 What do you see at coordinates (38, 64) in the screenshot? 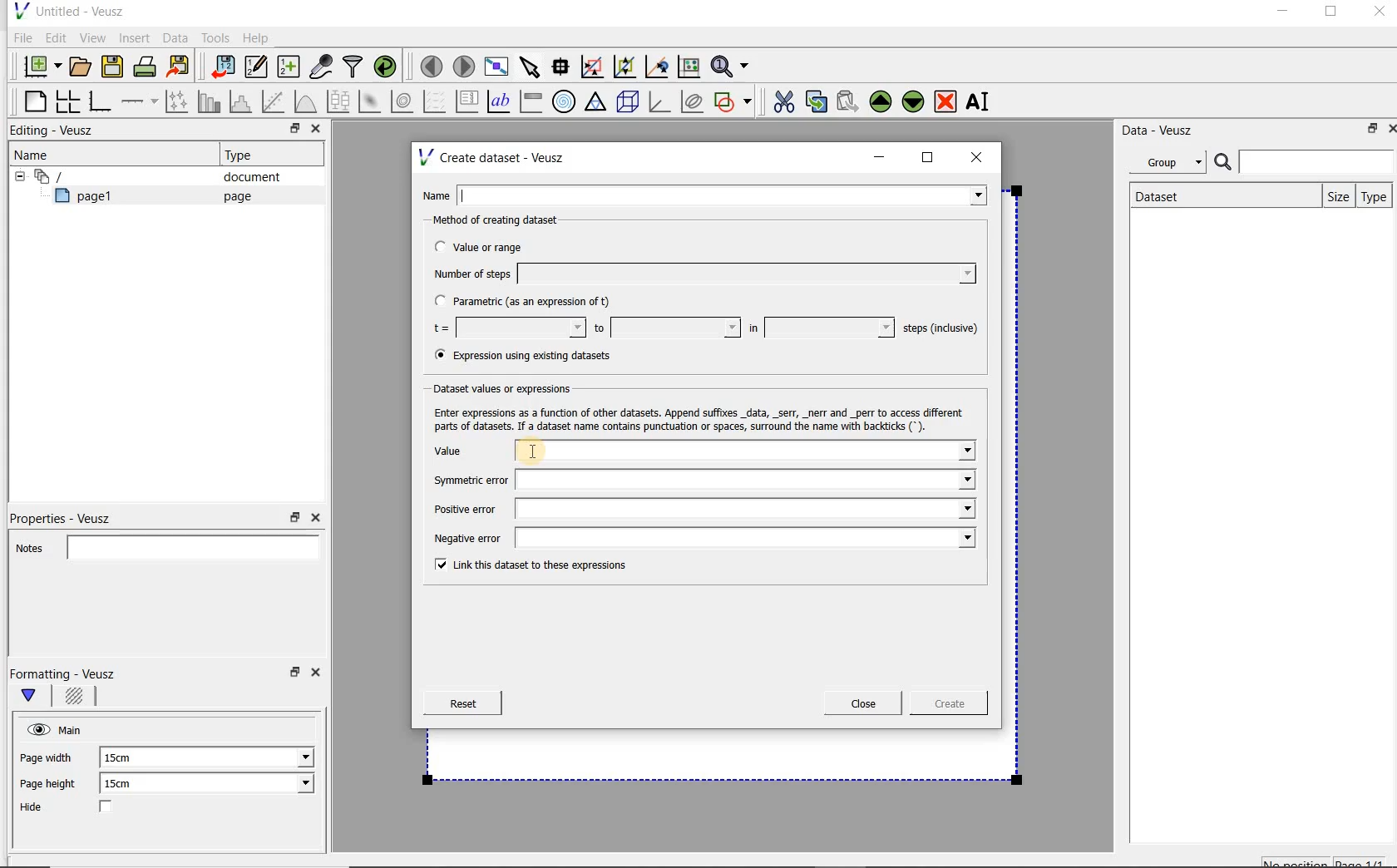
I see `new document` at bounding box center [38, 64].